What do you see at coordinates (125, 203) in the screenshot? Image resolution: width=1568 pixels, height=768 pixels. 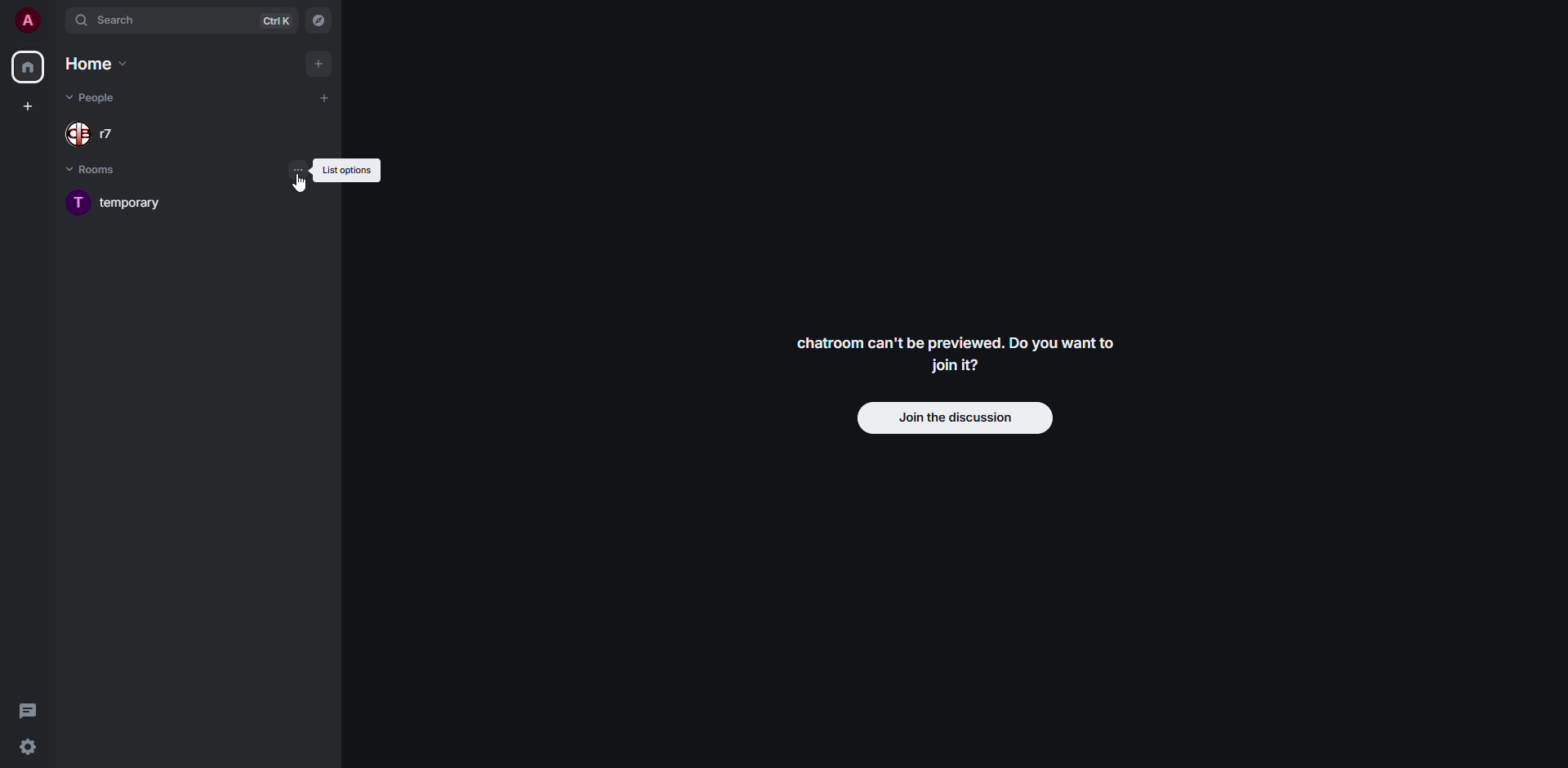 I see `room` at bounding box center [125, 203].